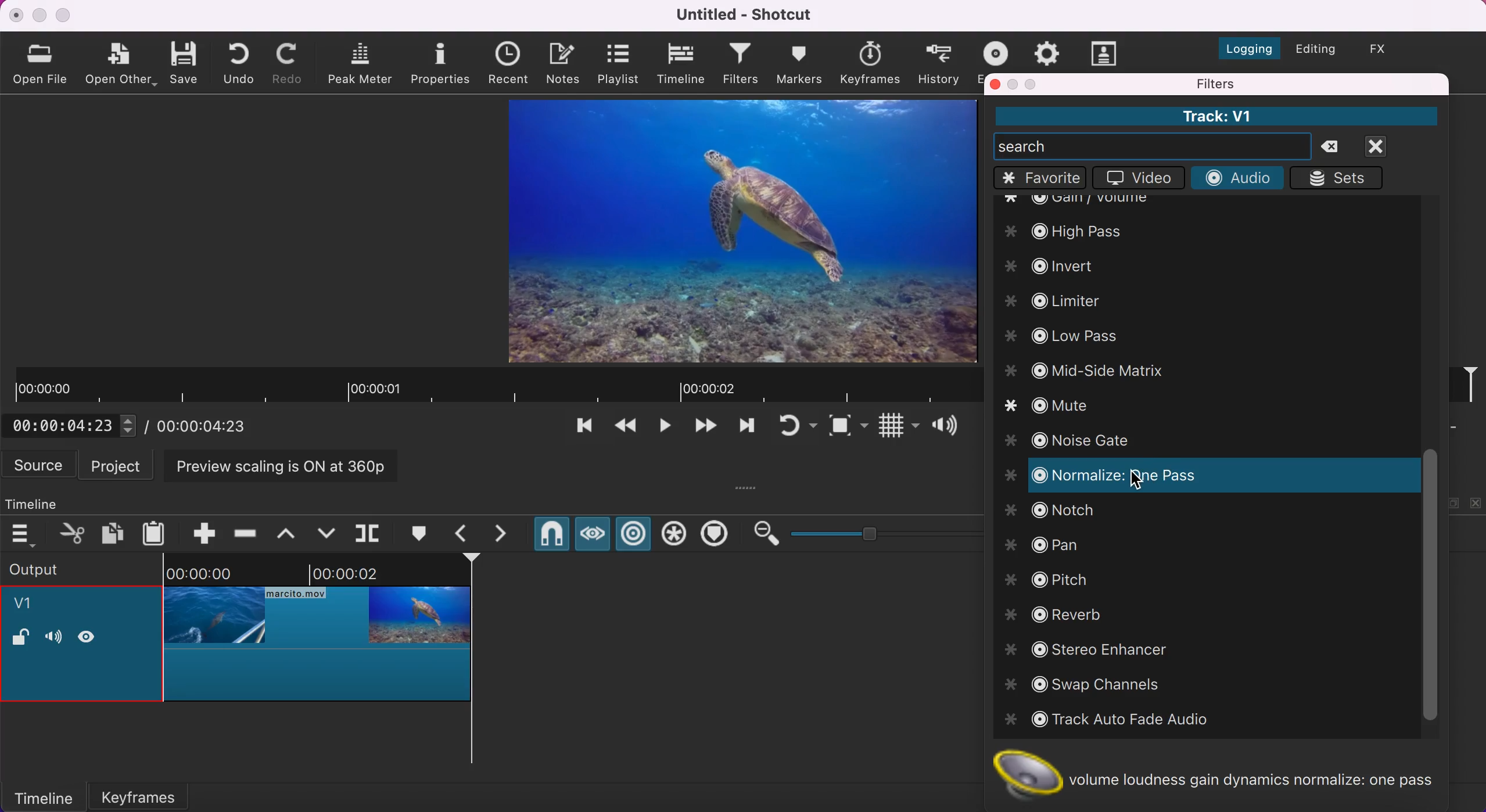  What do you see at coordinates (1117, 475) in the screenshot?
I see `normalize: one pass` at bounding box center [1117, 475].